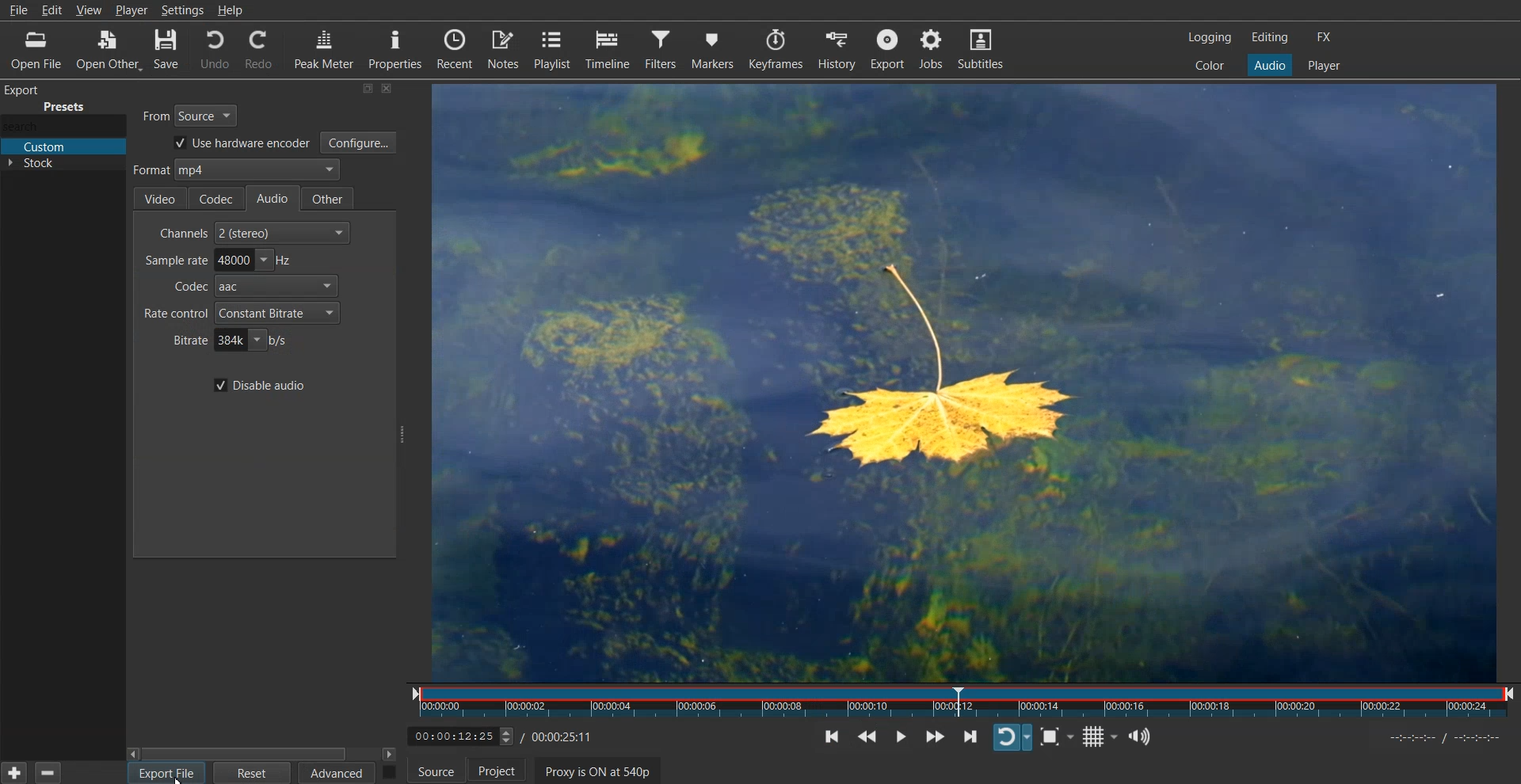 The height and width of the screenshot is (784, 1521). Describe the element at coordinates (506, 734) in the screenshot. I see `Time` at that location.